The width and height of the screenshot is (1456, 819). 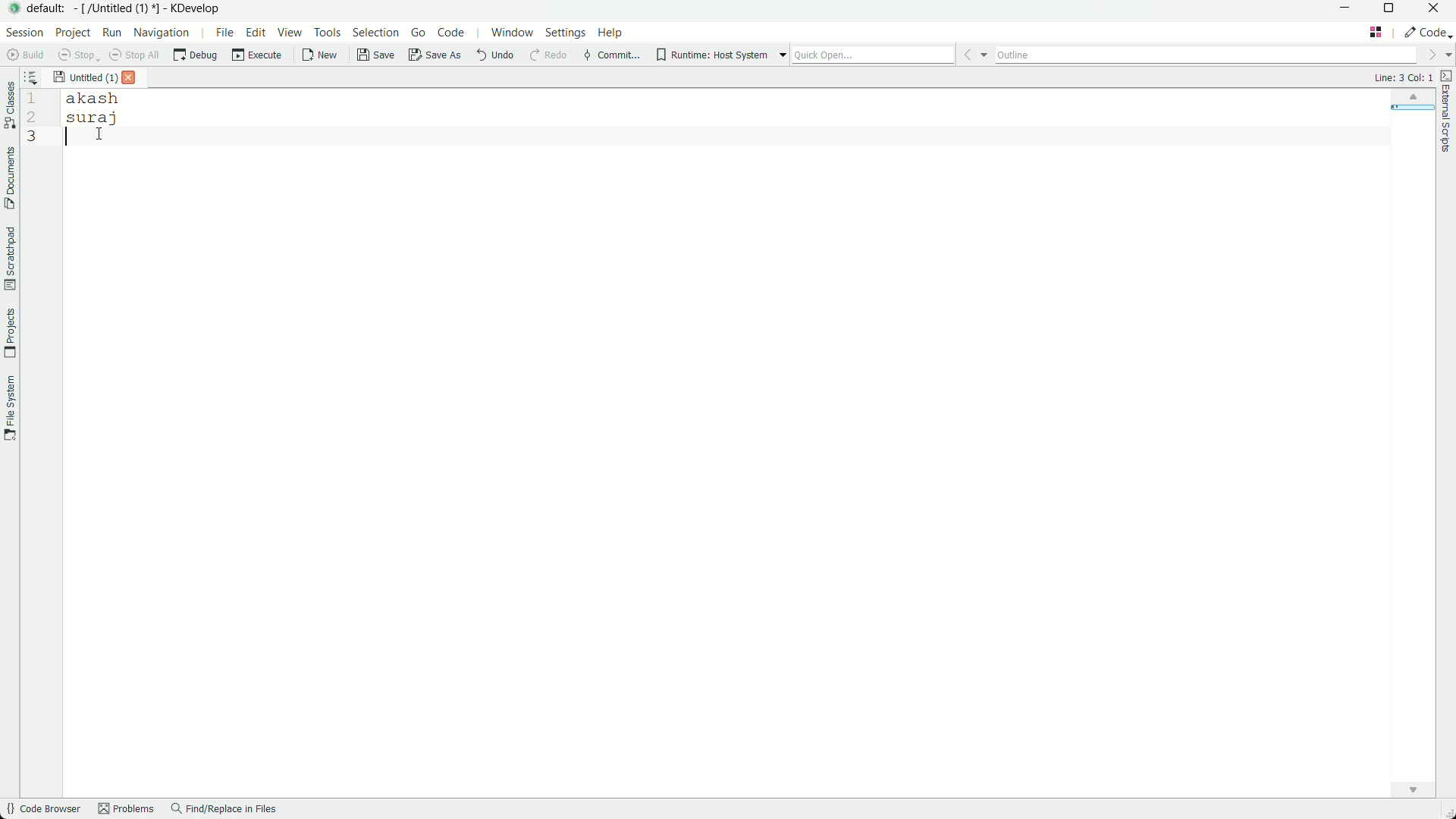 What do you see at coordinates (124, 8) in the screenshot?
I see `app name and location - default: [/Untitled (1) *] - KDevelop` at bounding box center [124, 8].